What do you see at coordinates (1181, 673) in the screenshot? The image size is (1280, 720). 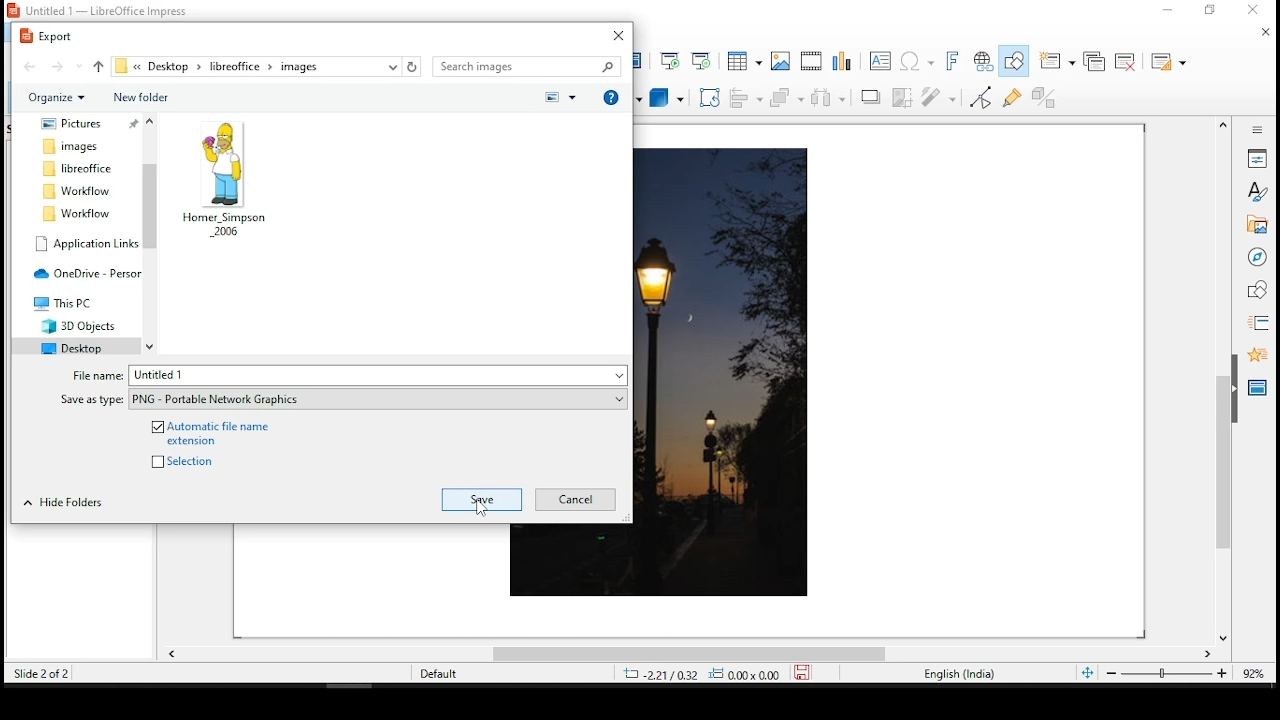 I see `zoom` at bounding box center [1181, 673].